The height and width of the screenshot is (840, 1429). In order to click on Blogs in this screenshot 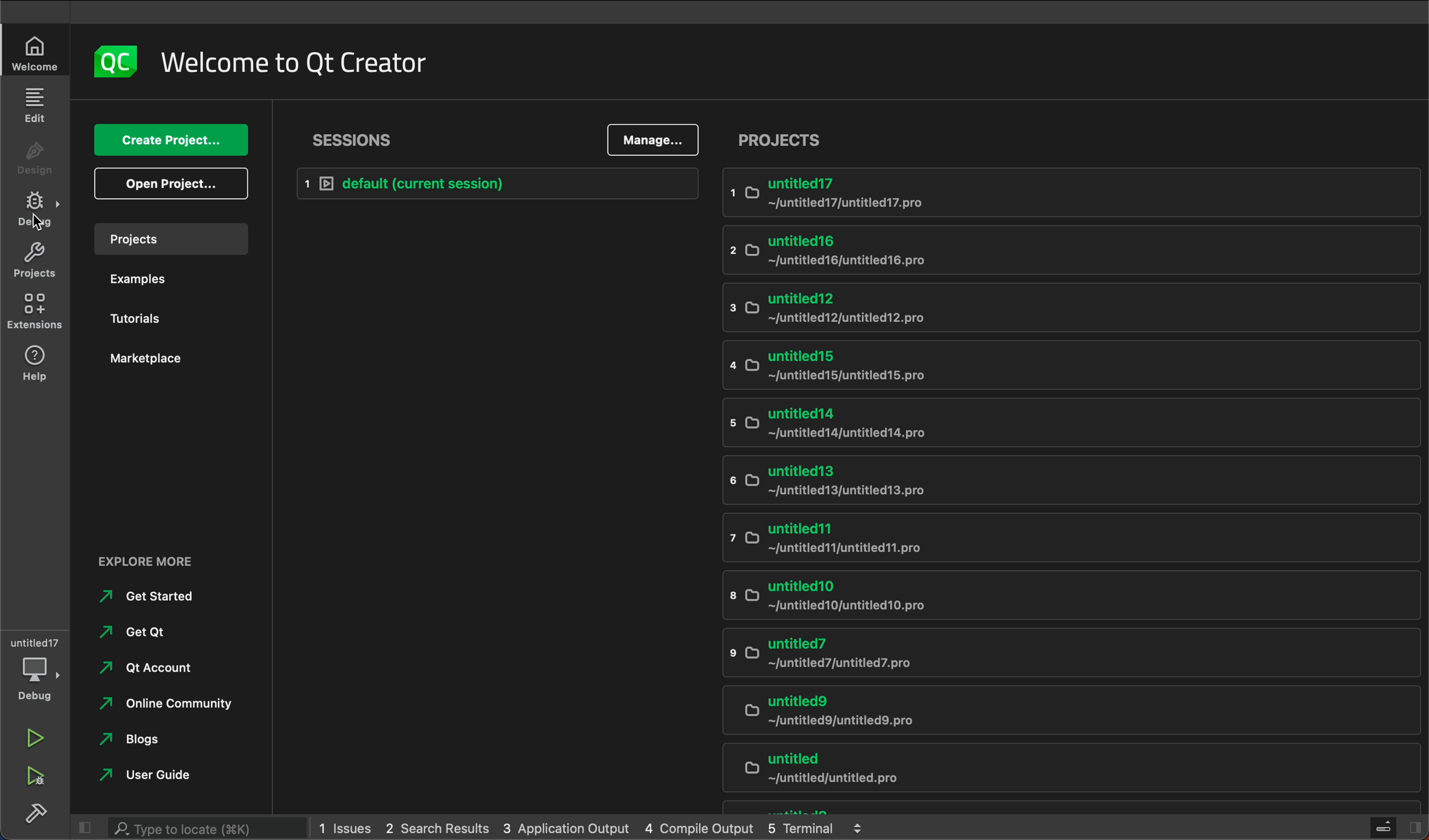, I will do `click(135, 739)`.